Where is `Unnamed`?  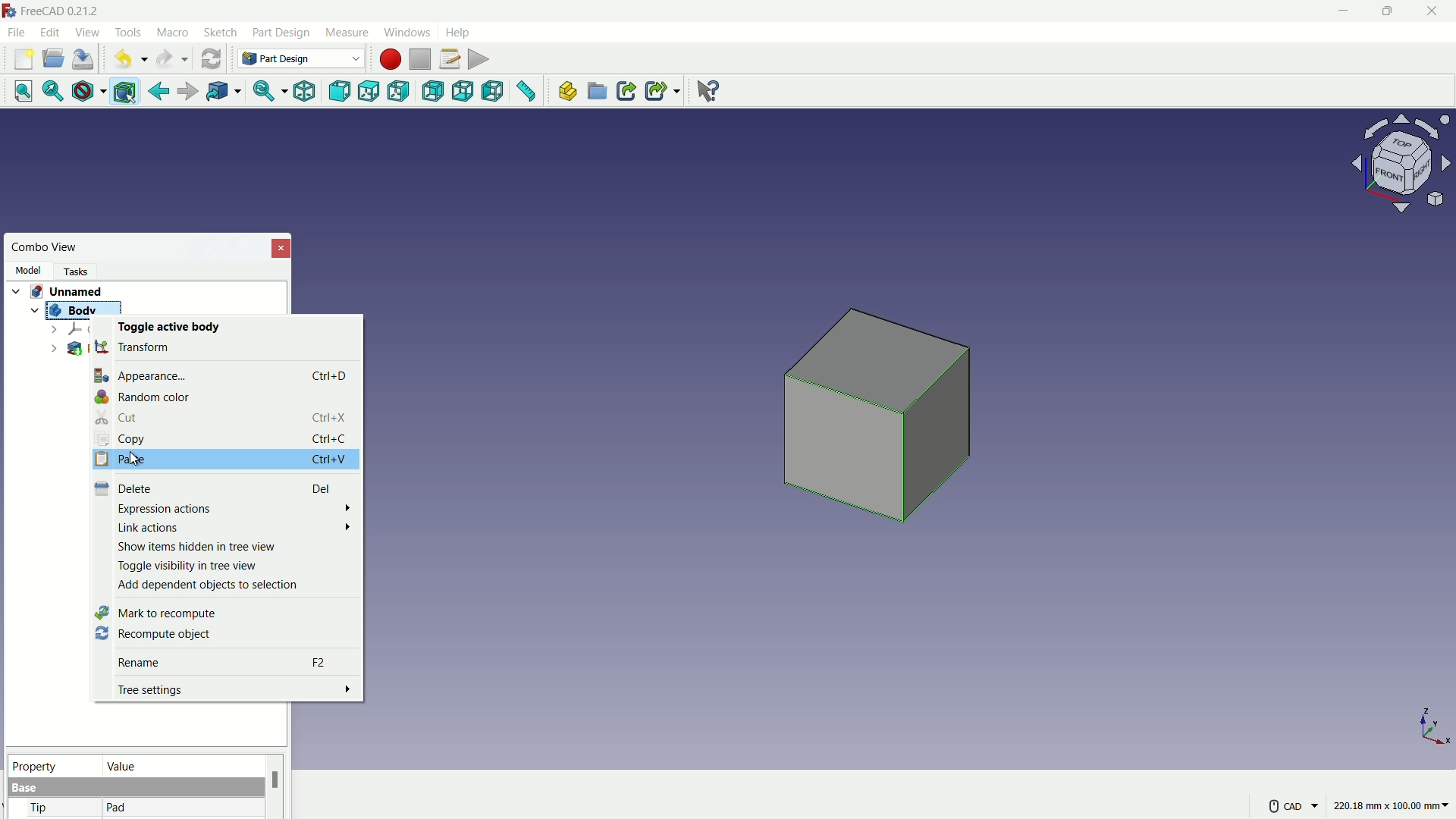
Unnamed is located at coordinates (72, 290).